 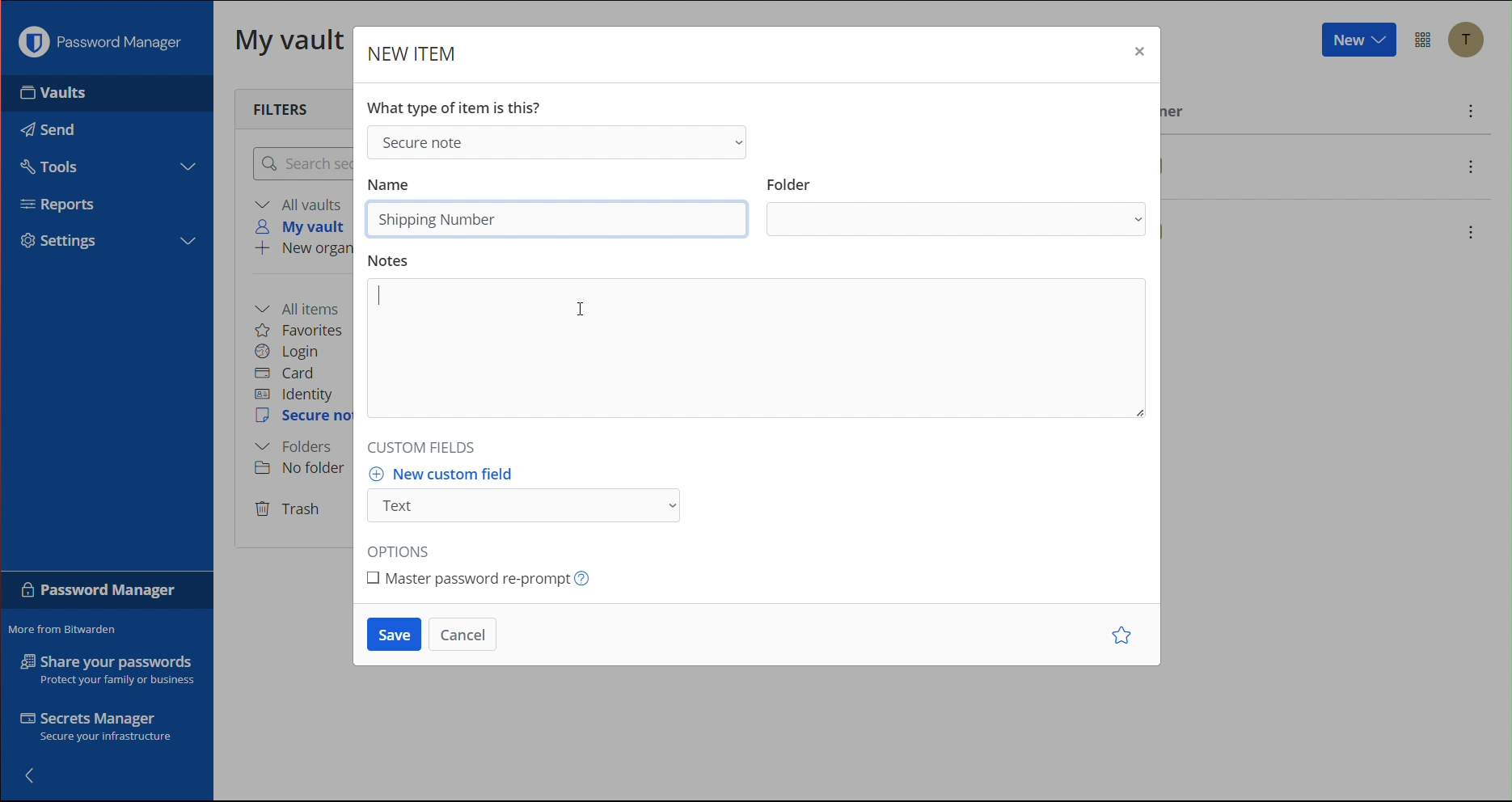 What do you see at coordinates (467, 632) in the screenshot?
I see `Cancel` at bounding box center [467, 632].